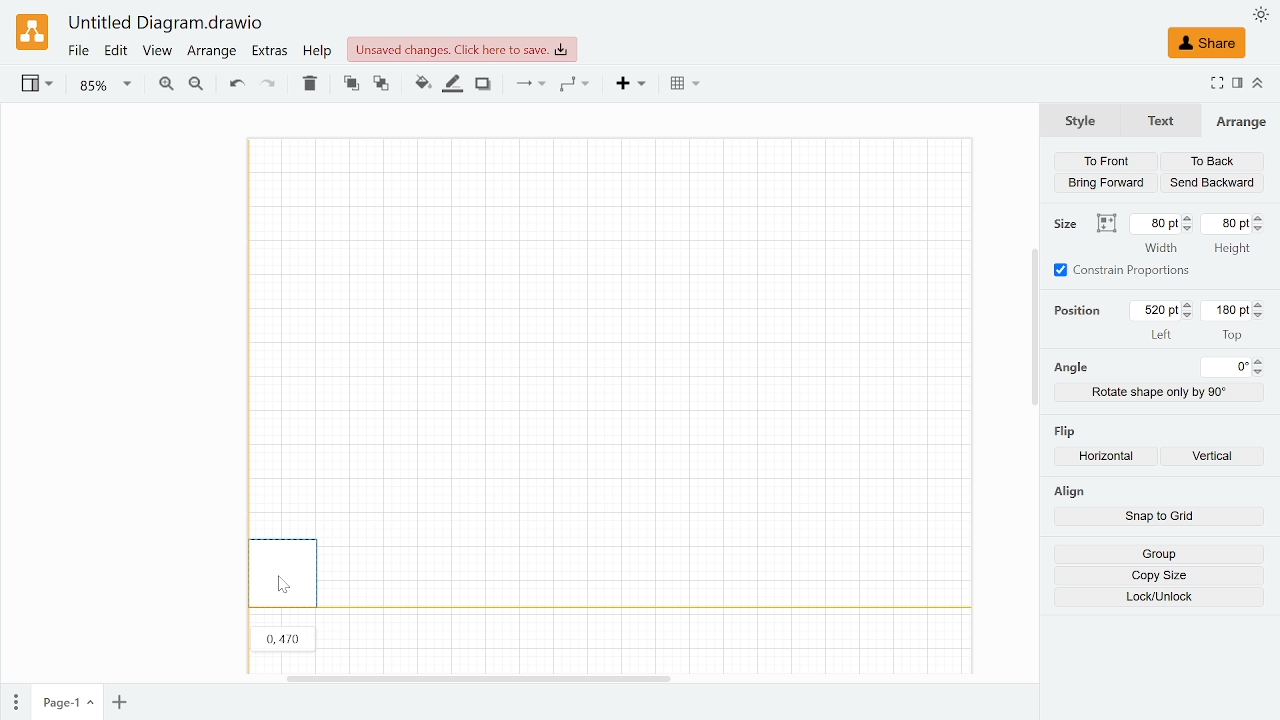 The image size is (1280, 720). What do you see at coordinates (1068, 224) in the screenshot?
I see `size` at bounding box center [1068, 224].